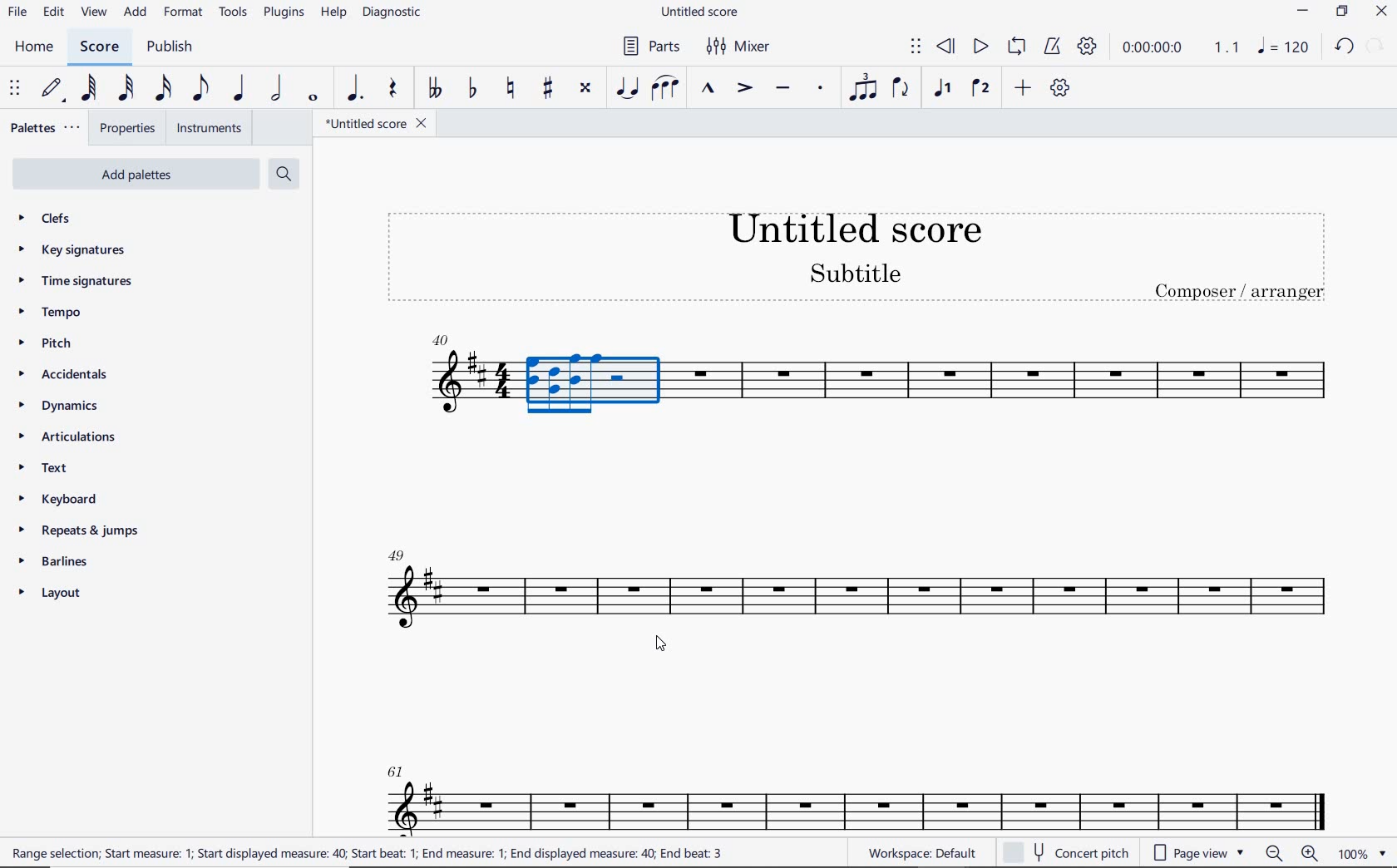 This screenshot has height=868, width=1397. Describe the element at coordinates (53, 596) in the screenshot. I see `LAYOUT` at that location.